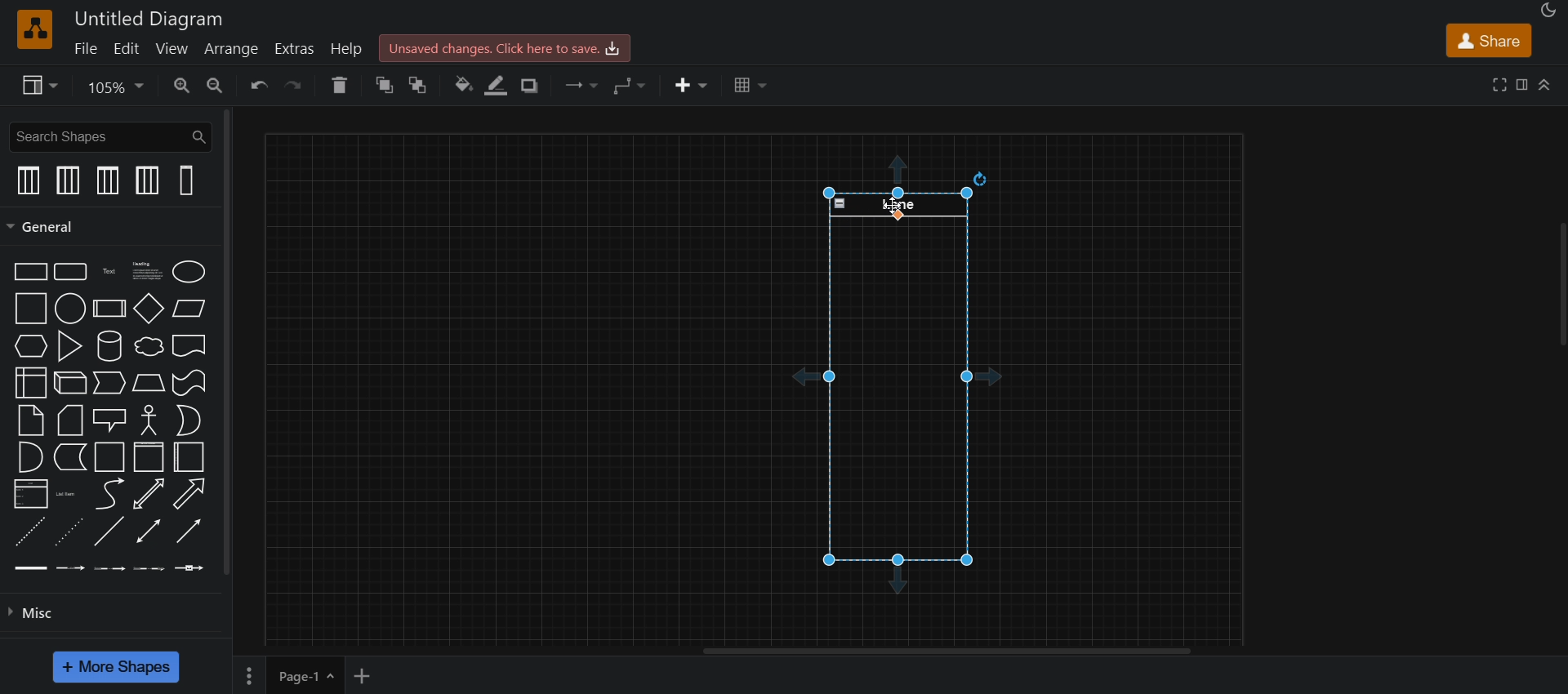 Image resolution: width=1568 pixels, height=694 pixels. What do you see at coordinates (69, 182) in the screenshot?
I see `vertical pool 2` at bounding box center [69, 182].